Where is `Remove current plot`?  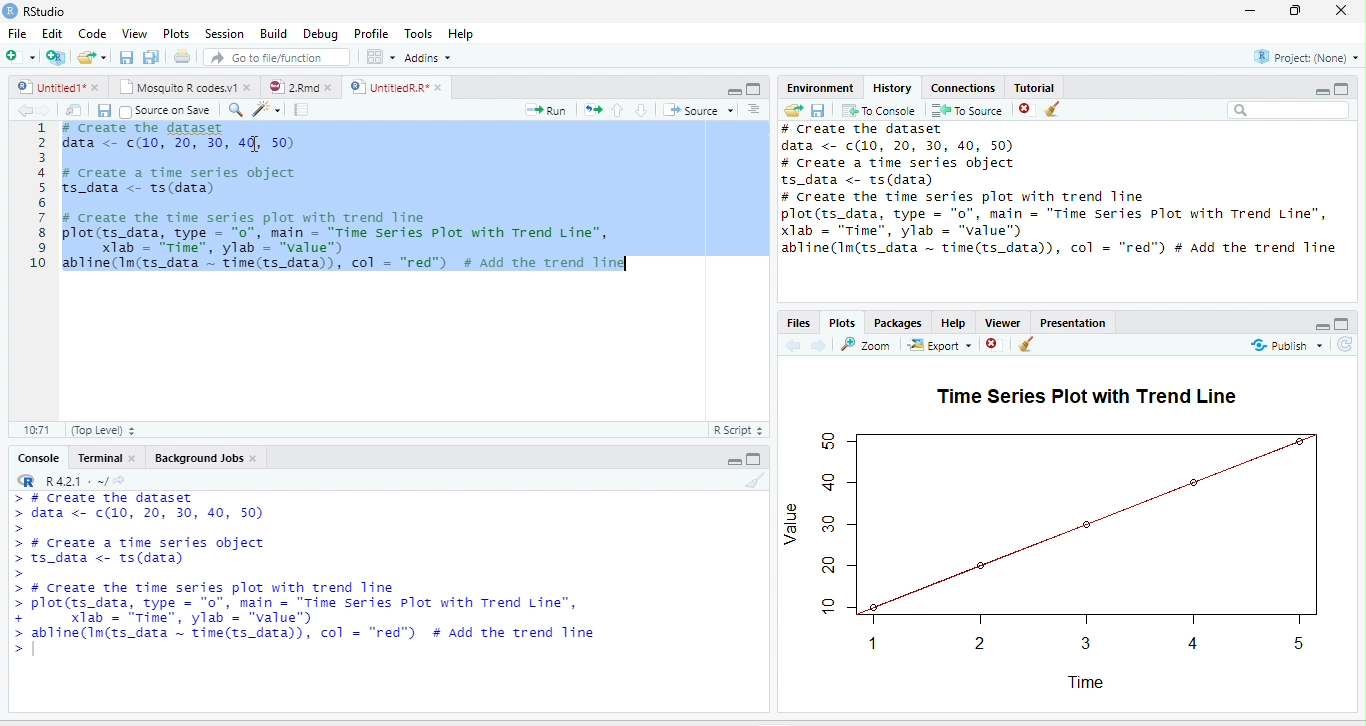
Remove current plot is located at coordinates (996, 343).